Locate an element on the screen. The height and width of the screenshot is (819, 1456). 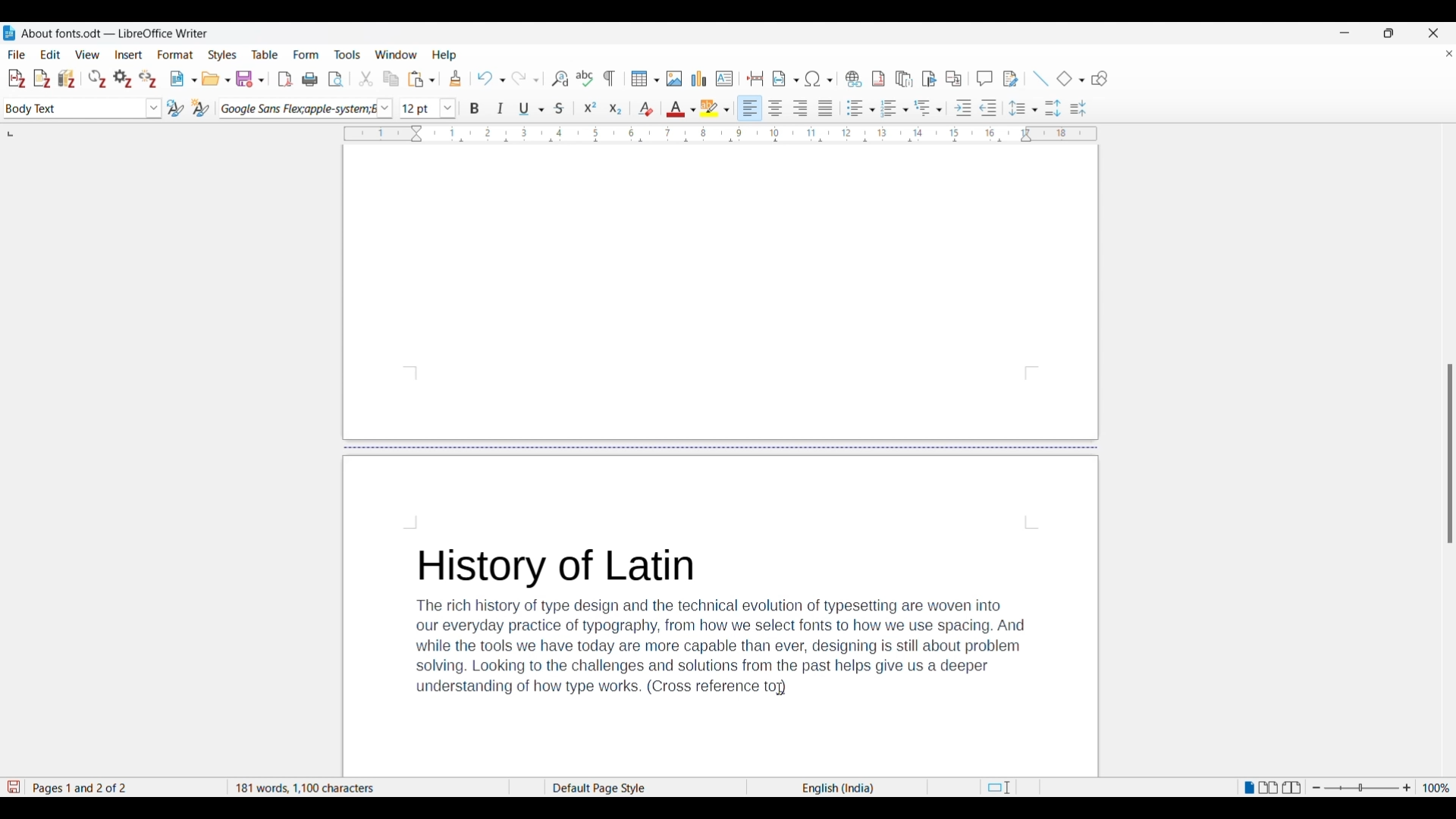
Current zoom factor is located at coordinates (1436, 788).